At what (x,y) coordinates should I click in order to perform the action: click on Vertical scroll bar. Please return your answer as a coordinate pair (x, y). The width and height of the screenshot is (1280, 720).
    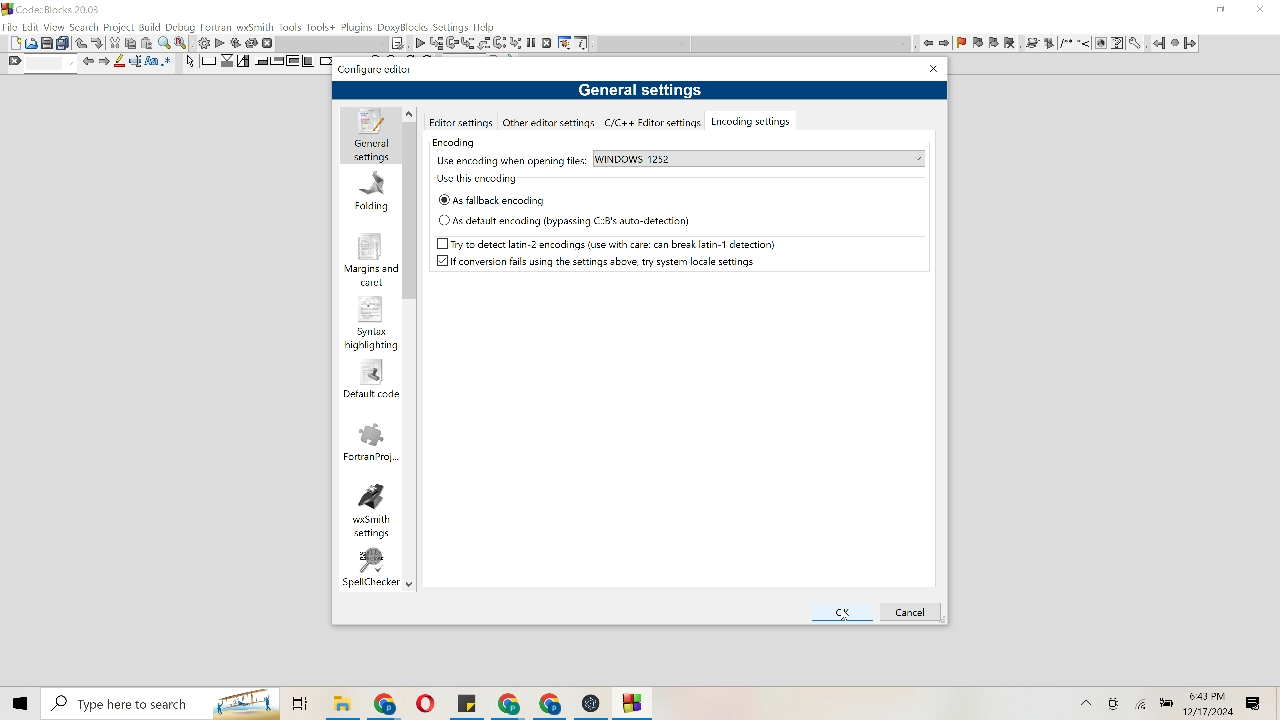
    Looking at the image, I should click on (412, 348).